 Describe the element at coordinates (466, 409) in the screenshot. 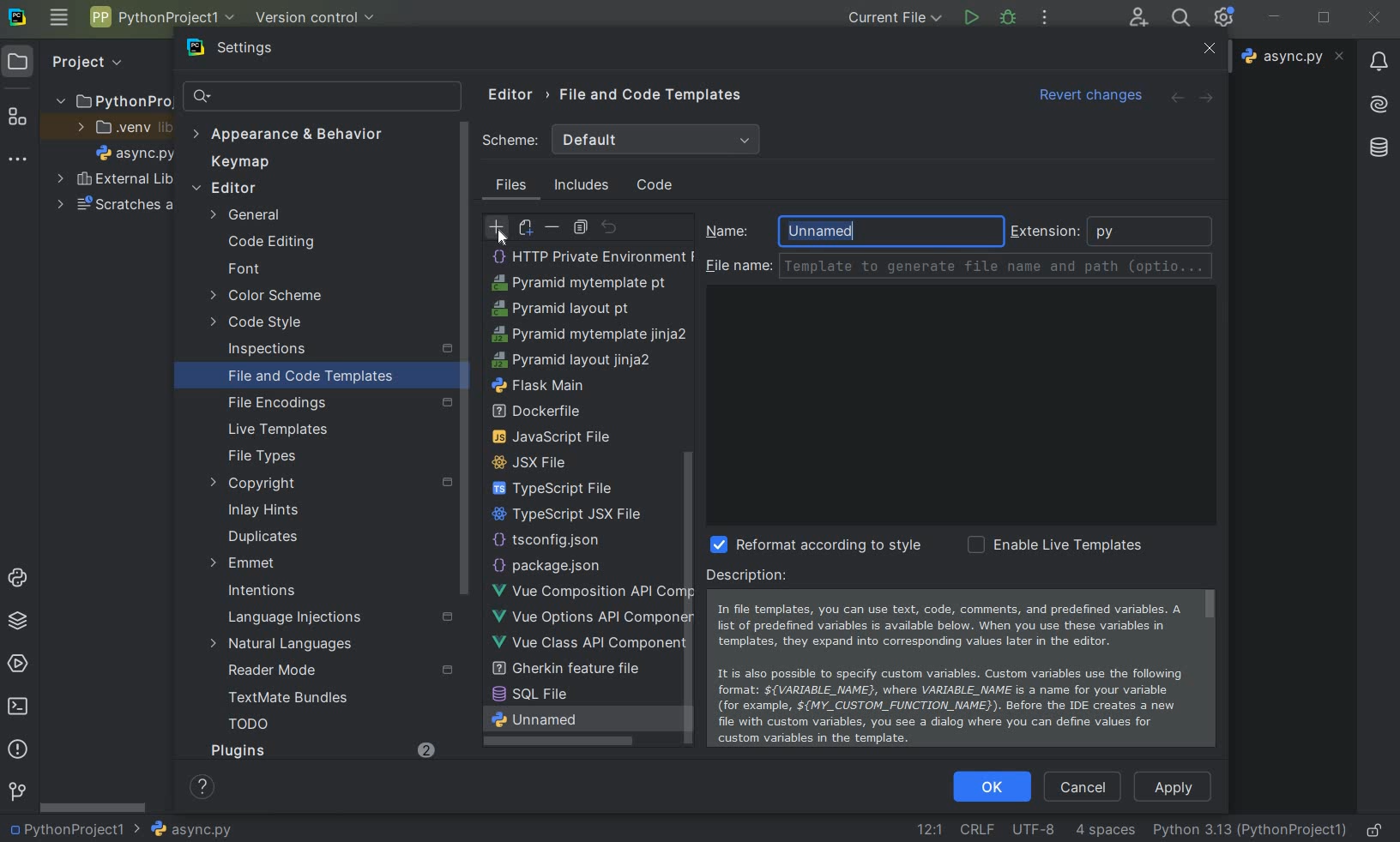

I see `scrollbar` at that location.